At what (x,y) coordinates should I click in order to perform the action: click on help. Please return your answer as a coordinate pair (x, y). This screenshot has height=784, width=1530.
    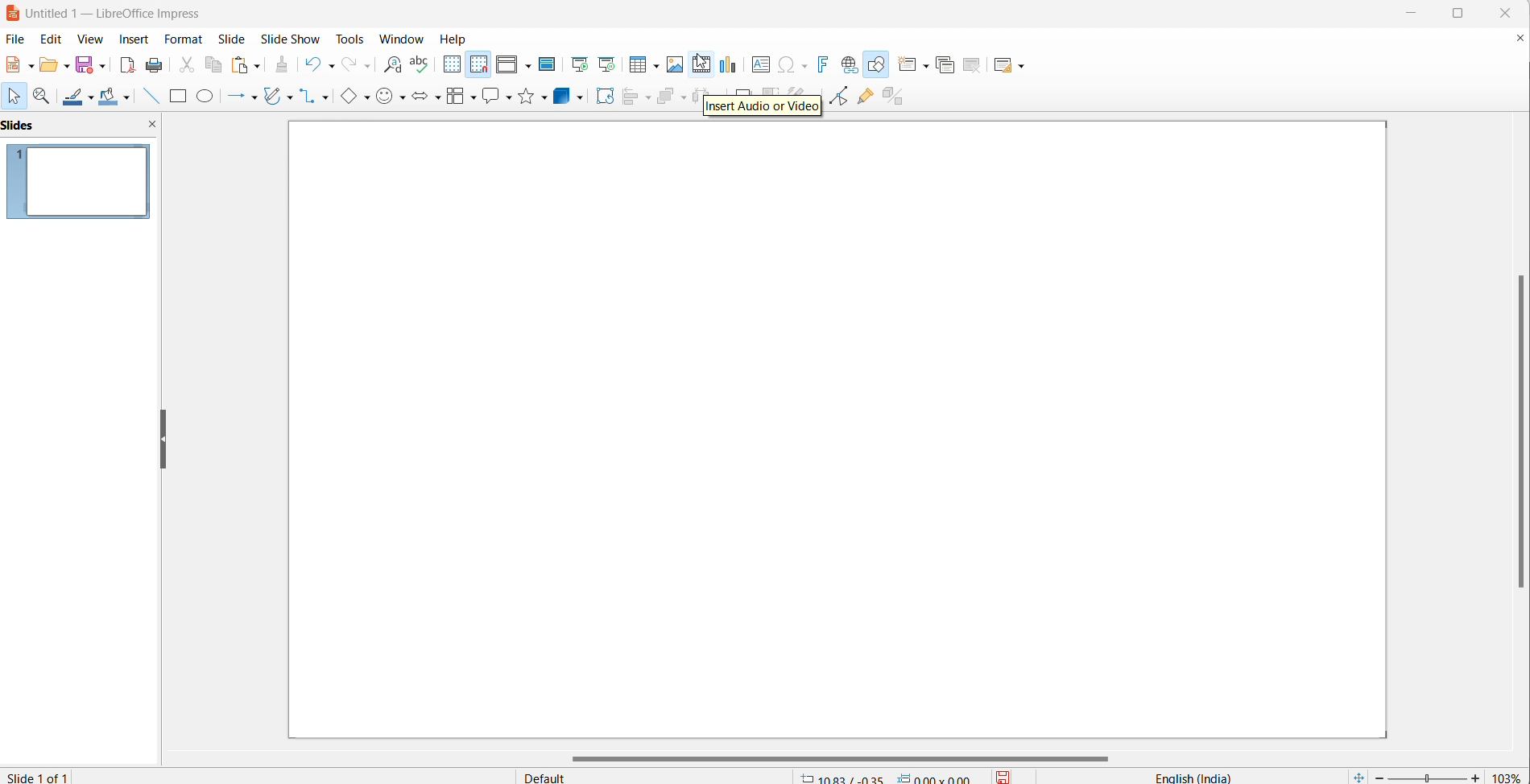
    Looking at the image, I should click on (456, 38).